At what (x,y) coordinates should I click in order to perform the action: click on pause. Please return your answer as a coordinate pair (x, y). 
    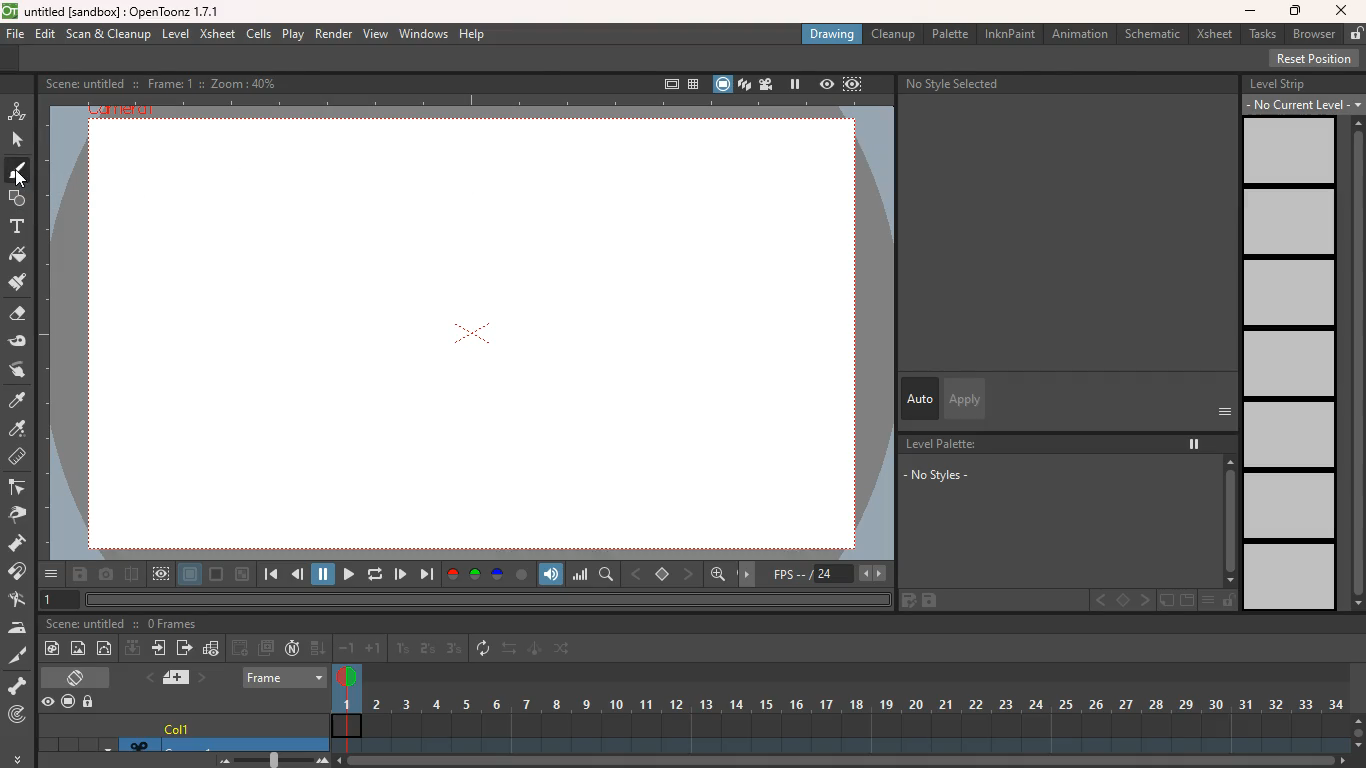
    Looking at the image, I should click on (324, 573).